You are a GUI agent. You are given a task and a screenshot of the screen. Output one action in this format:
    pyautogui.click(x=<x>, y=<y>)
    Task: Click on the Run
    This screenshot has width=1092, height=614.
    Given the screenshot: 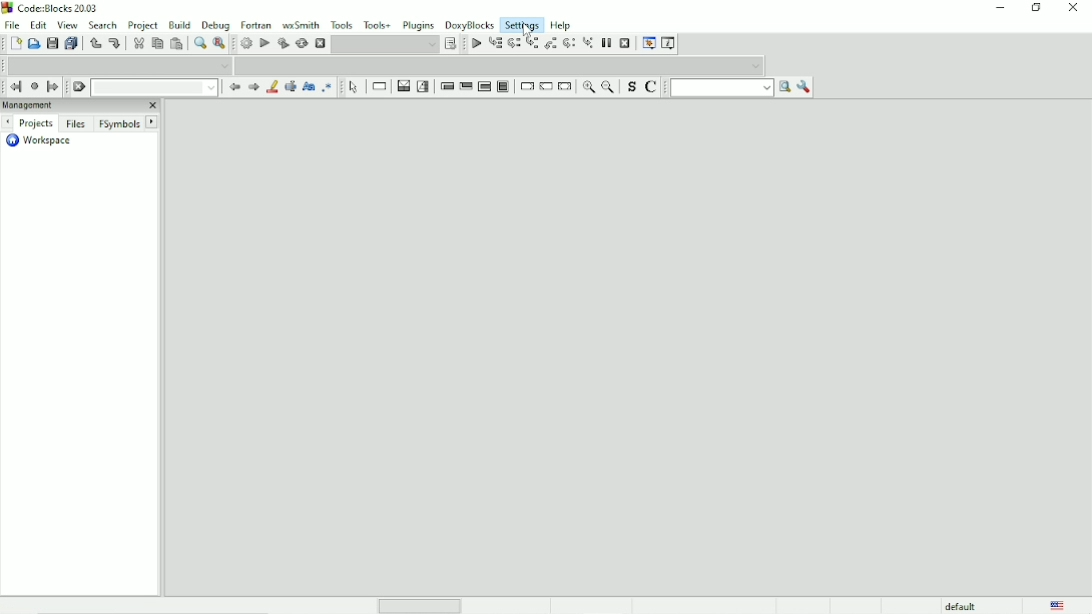 What is the action you would take?
    pyautogui.click(x=263, y=44)
    